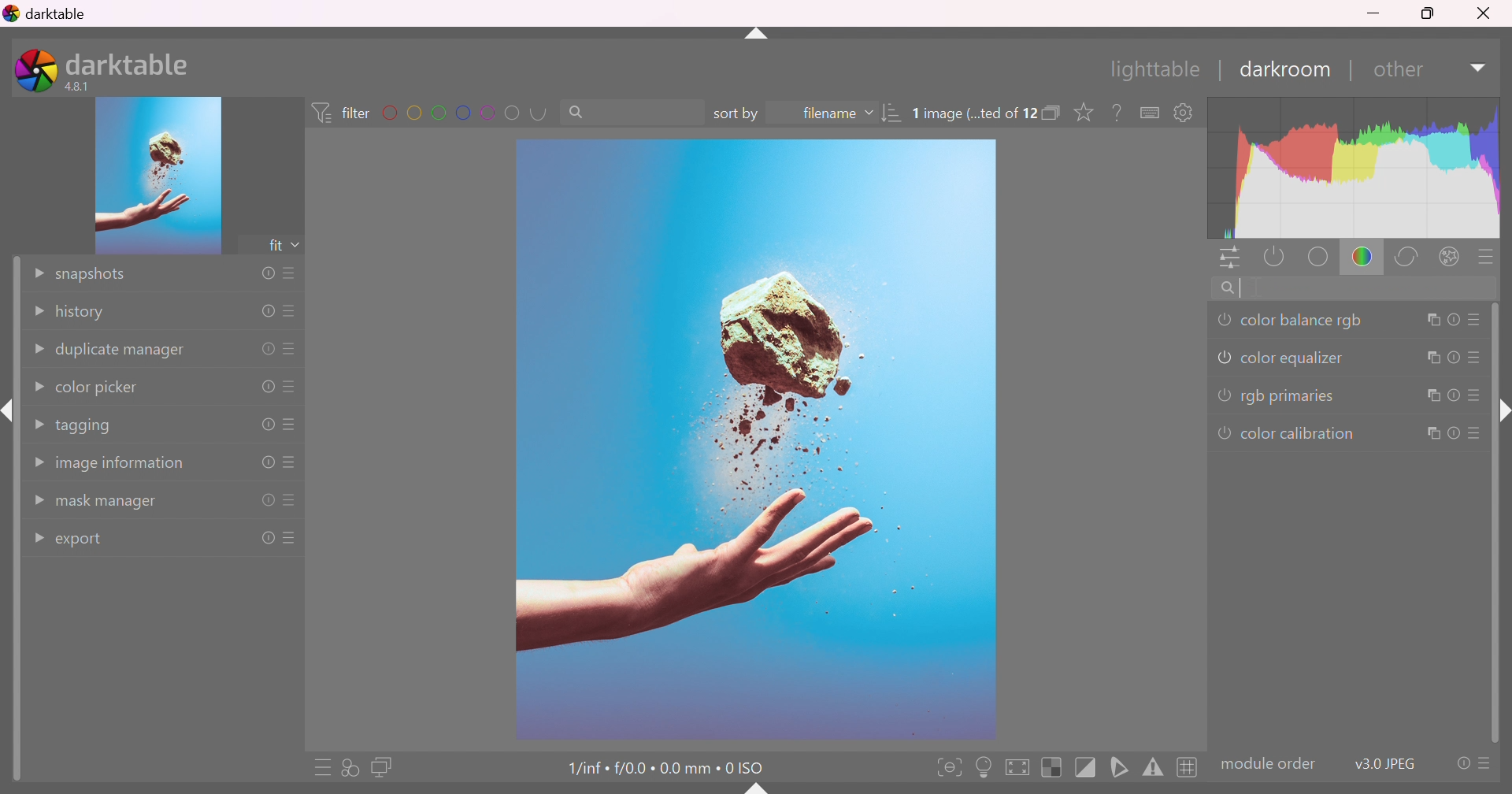  Describe the element at coordinates (1084, 113) in the screenshot. I see `click to change the type of overlays shown on thumbnails` at that location.